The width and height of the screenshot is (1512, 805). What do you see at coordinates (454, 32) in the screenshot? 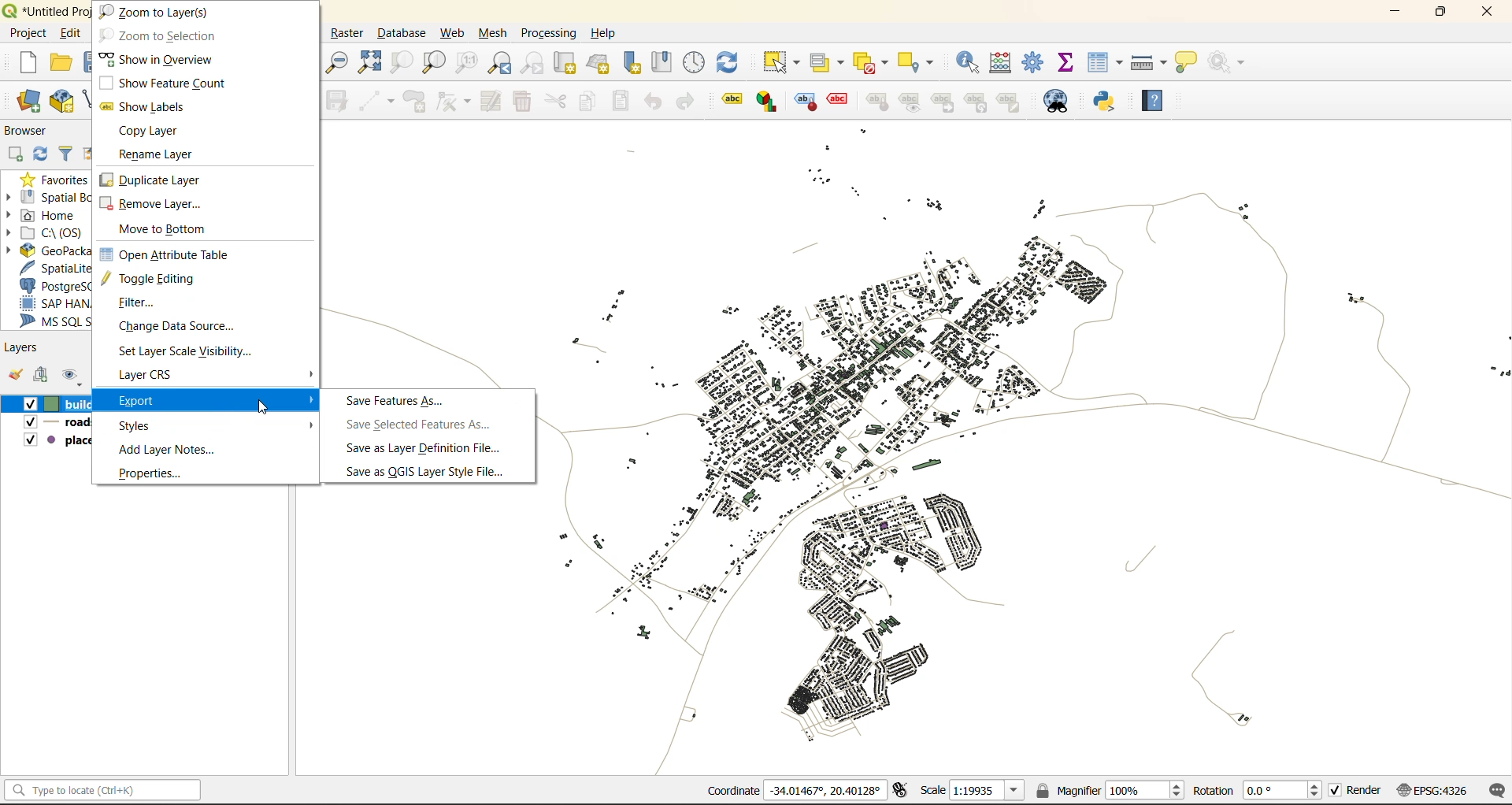
I see `web` at bounding box center [454, 32].